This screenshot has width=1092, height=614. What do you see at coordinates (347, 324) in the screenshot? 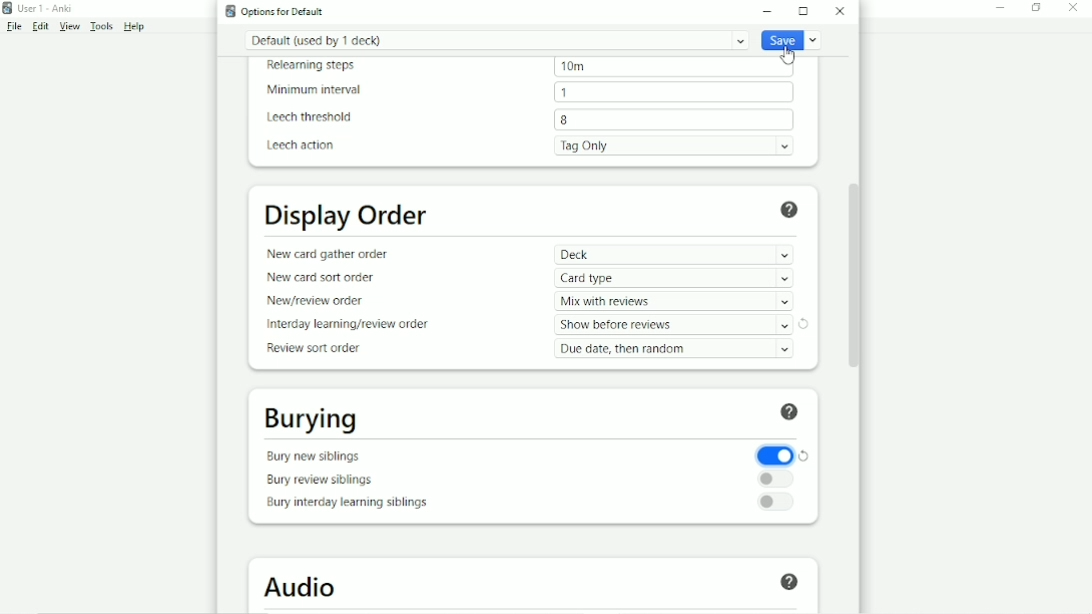
I see `Interday learning/review order` at bounding box center [347, 324].